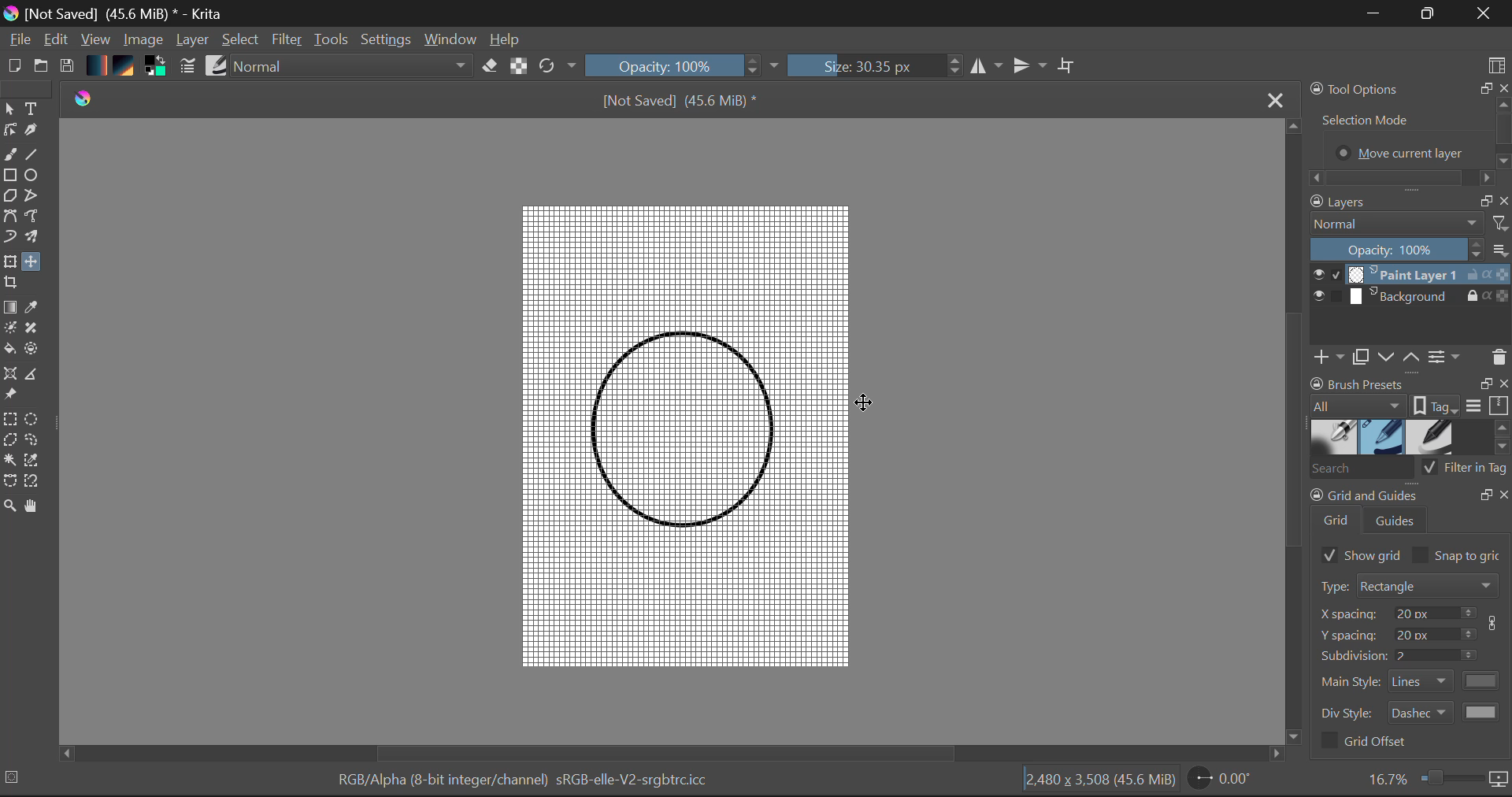 This screenshot has height=797, width=1512. Describe the element at coordinates (680, 99) in the screenshot. I see `File Name & Size` at that location.